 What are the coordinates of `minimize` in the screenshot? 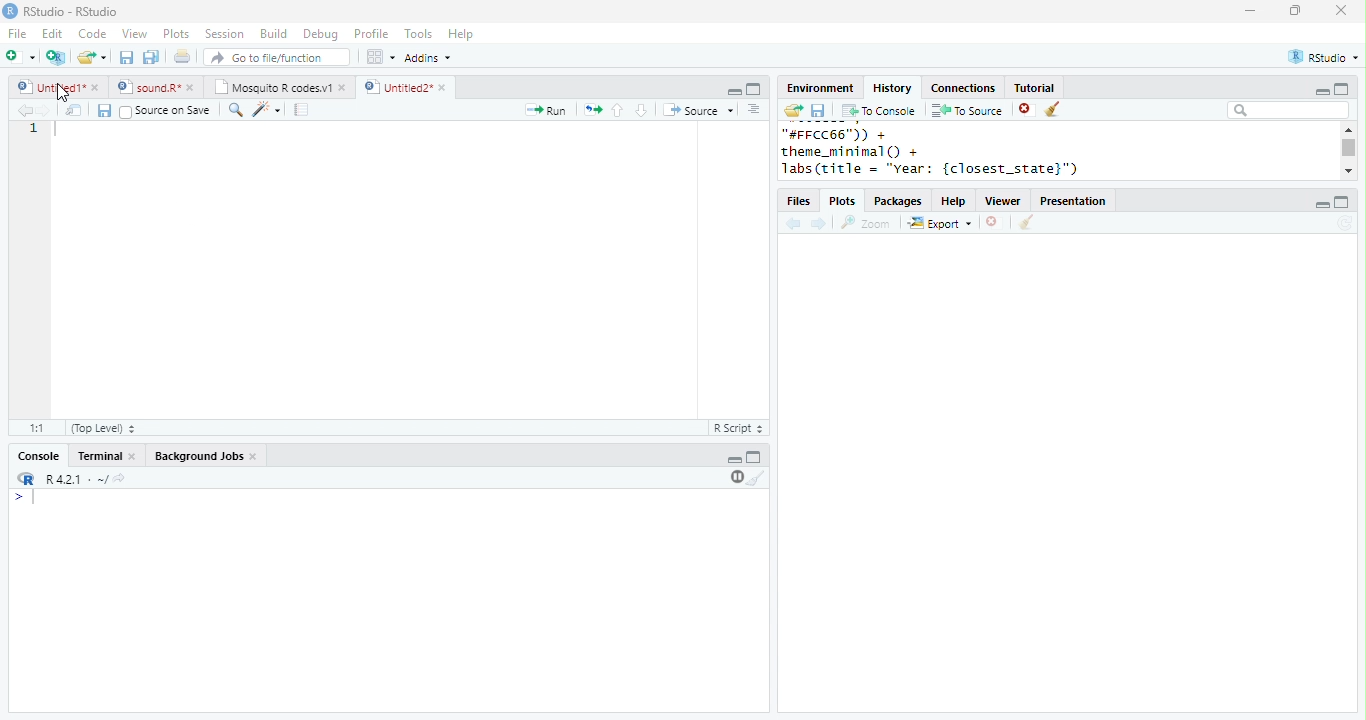 It's located at (735, 92).